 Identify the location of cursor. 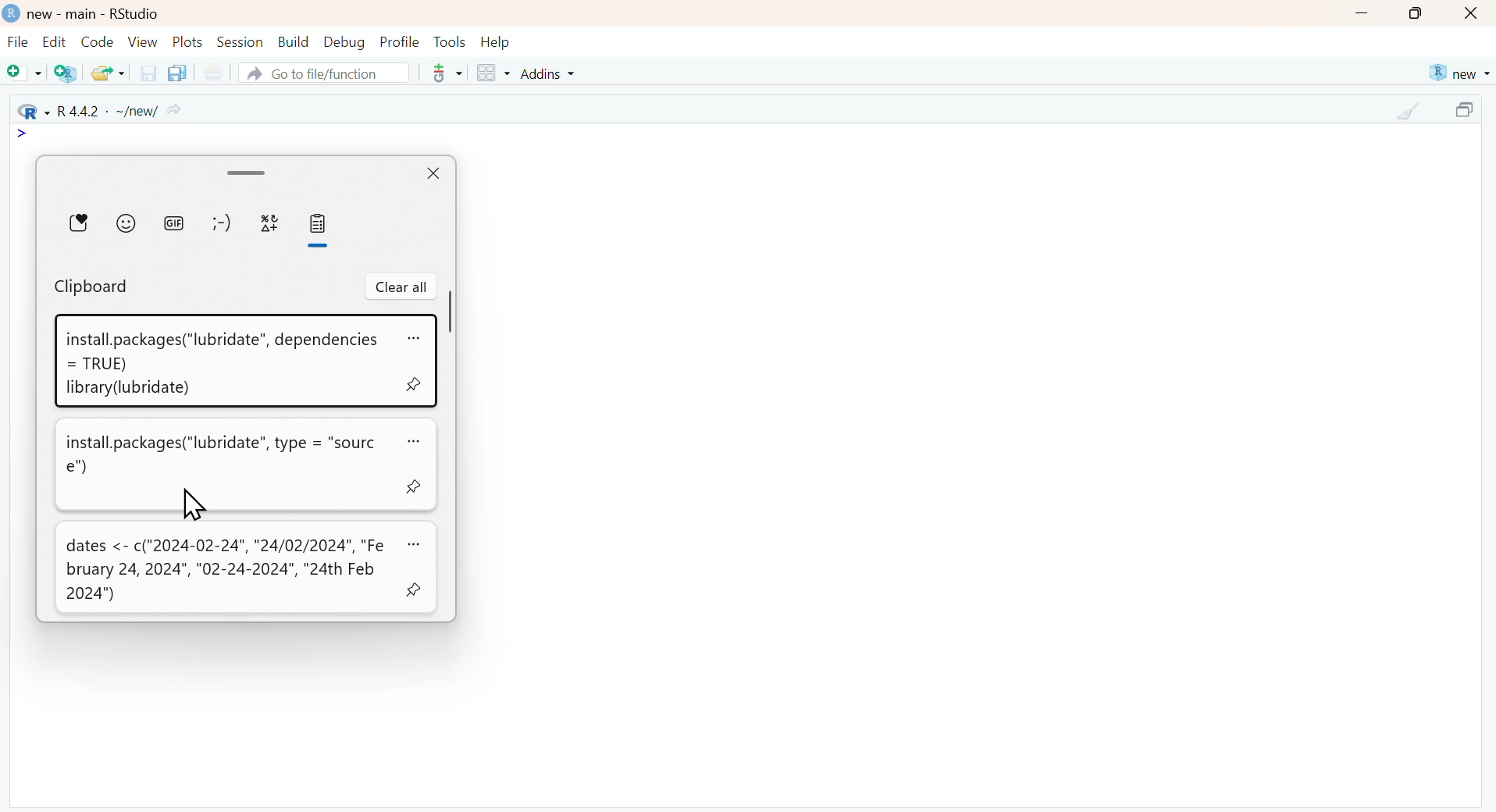
(192, 504).